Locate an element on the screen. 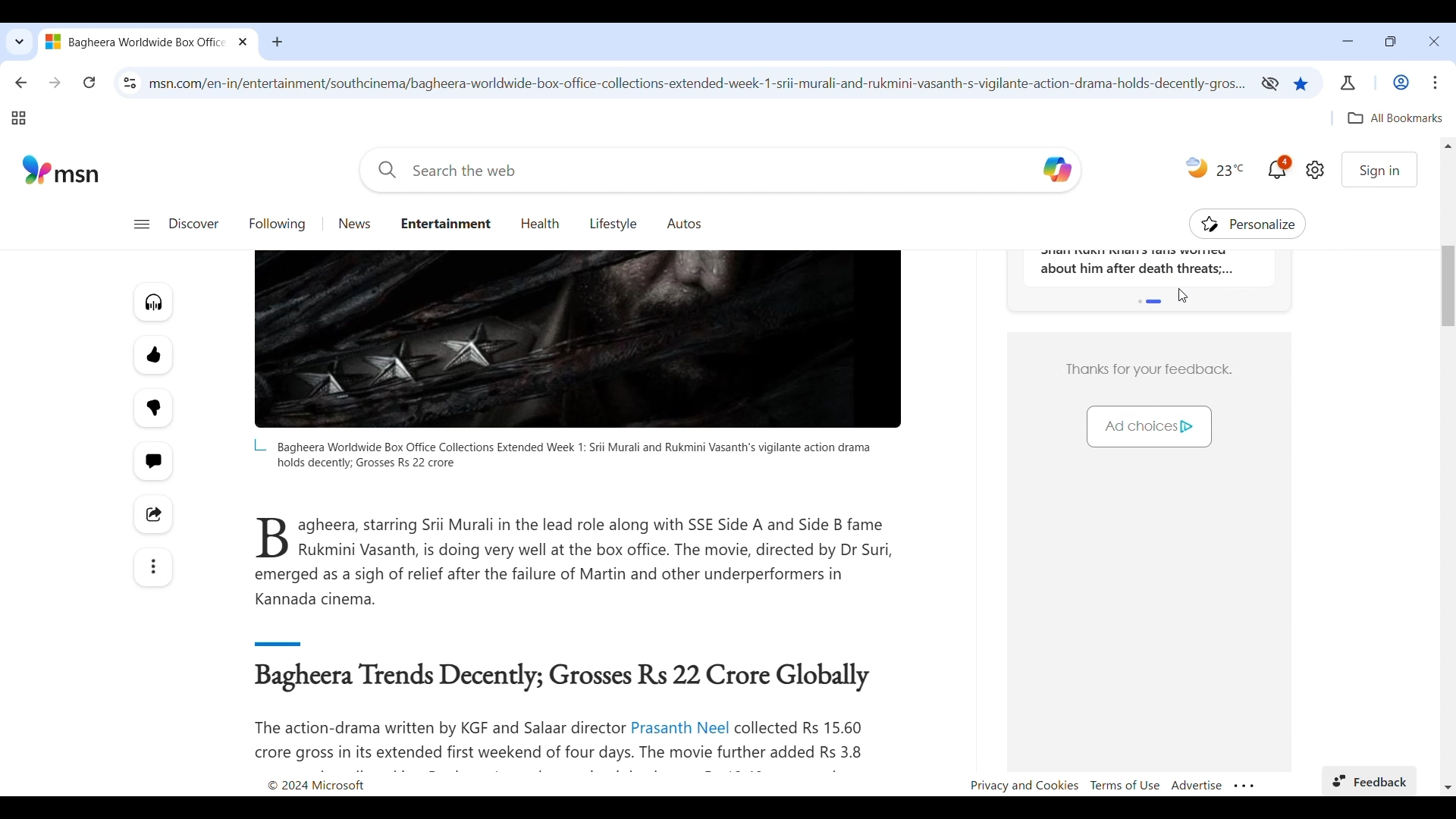 The image size is (1456, 819). agheera, starring Srii Murali in the lead role along with SSE Side A and Side B fame
B Rukmini Vasanth, is doing very well at the box office. The movie, directed by Dr Suri,
emerged as a sigh of relief after the failure of Martin and other underperformers in
Kannada cinema. is located at coordinates (576, 562).